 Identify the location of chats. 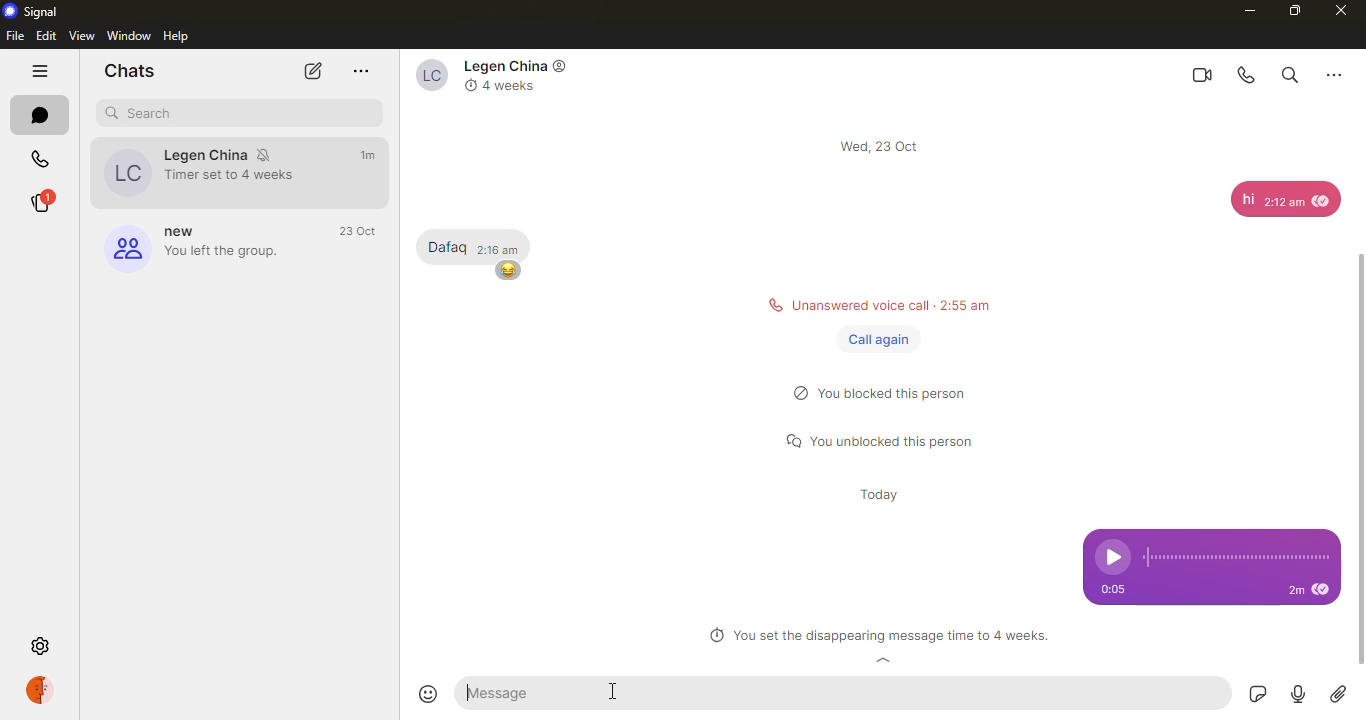
(129, 70).